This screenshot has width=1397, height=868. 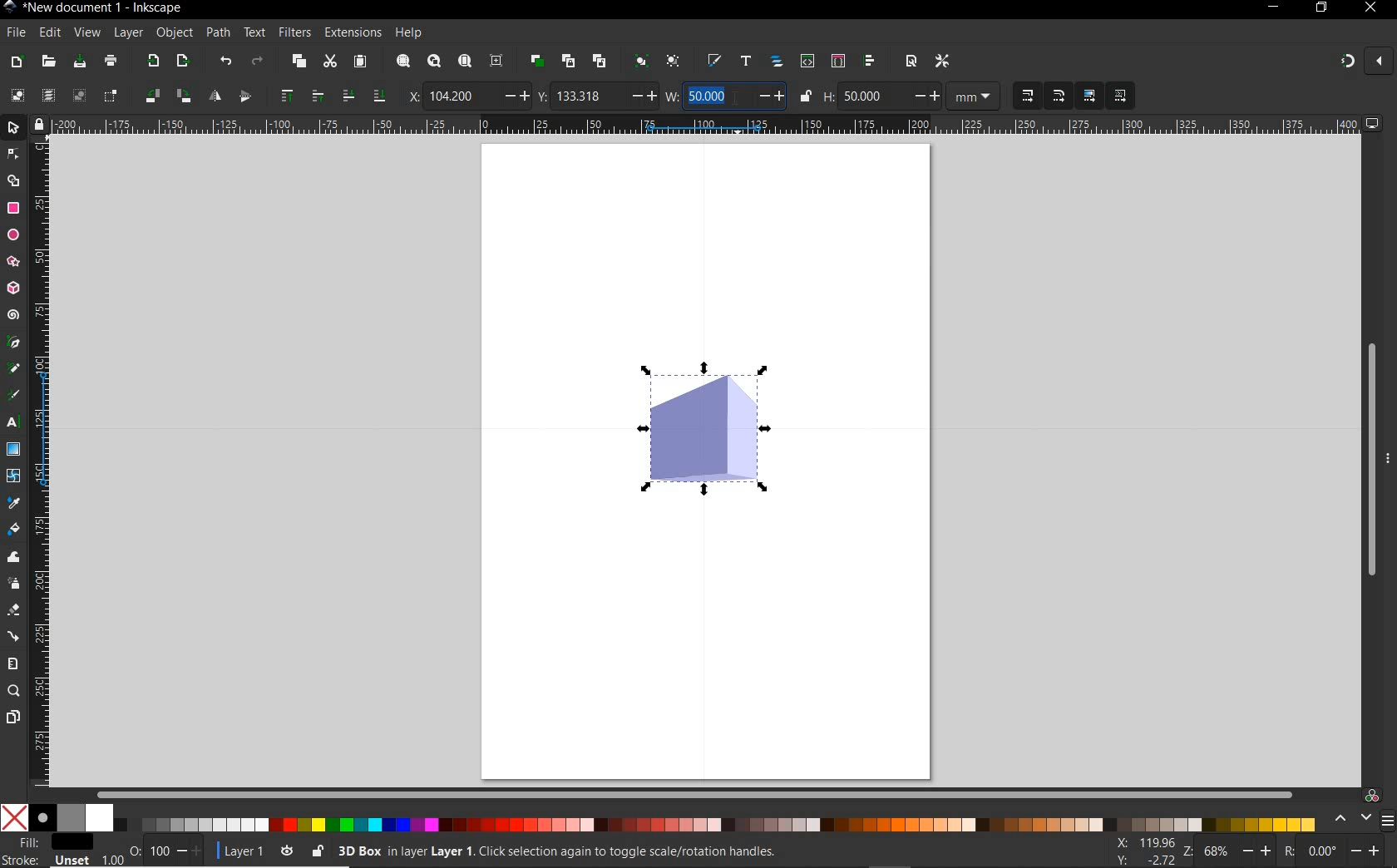 I want to click on when scaling, so click(x=1059, y=96).